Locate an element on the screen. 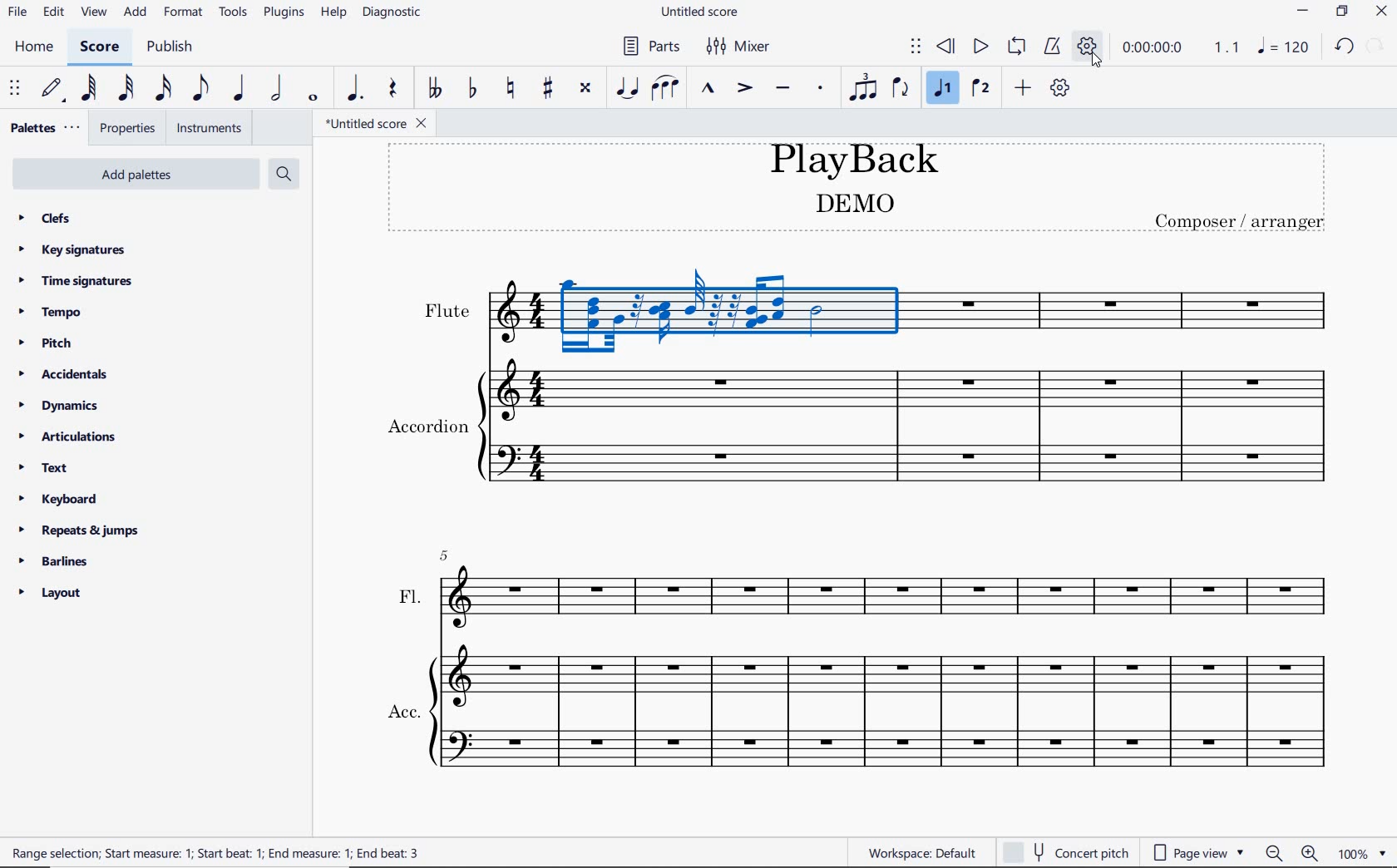  tuplet is located at coordinates (861, 86).